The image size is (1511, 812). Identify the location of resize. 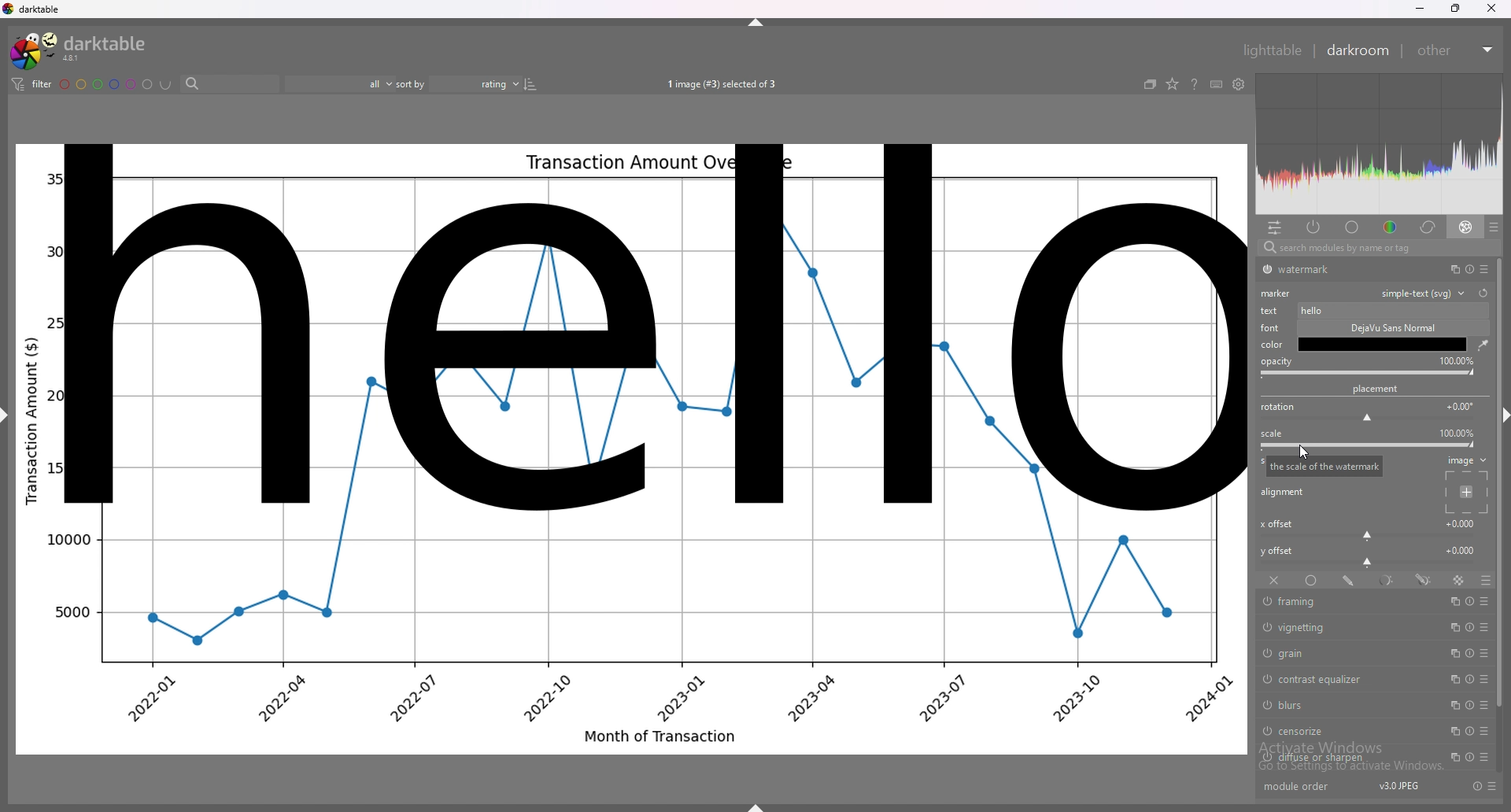
(1454, 8).